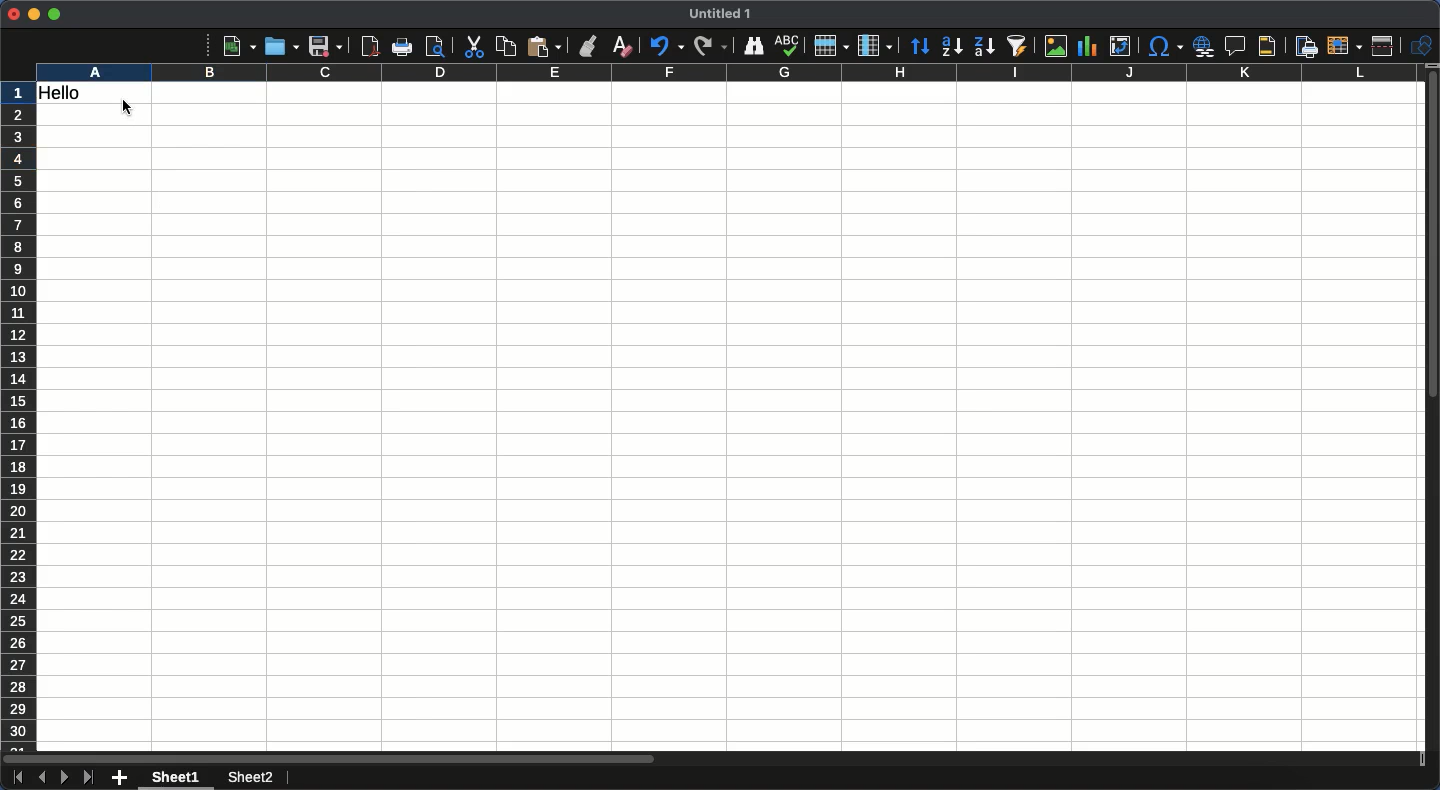  What do you see at coordinates (472, 47) in the screenshot?
I see `Cut` at bounding box center [472, 47].